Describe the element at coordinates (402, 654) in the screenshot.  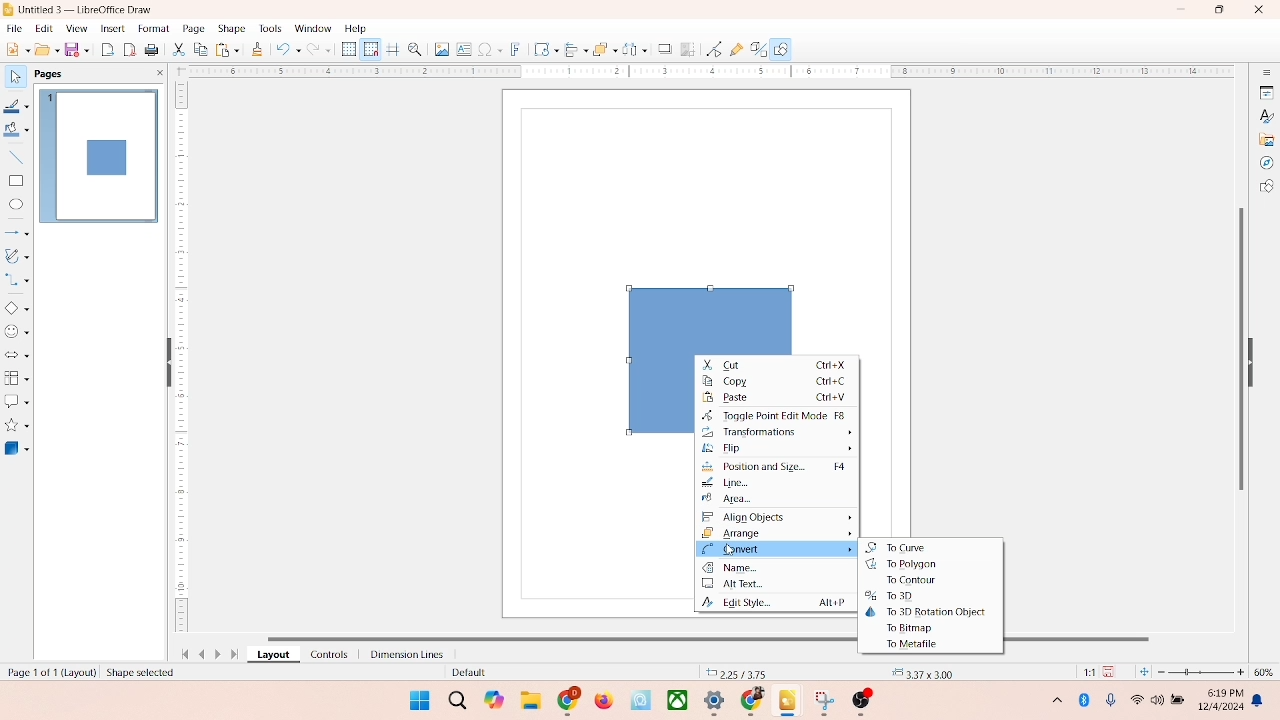
I see `dimension lines` at that location.